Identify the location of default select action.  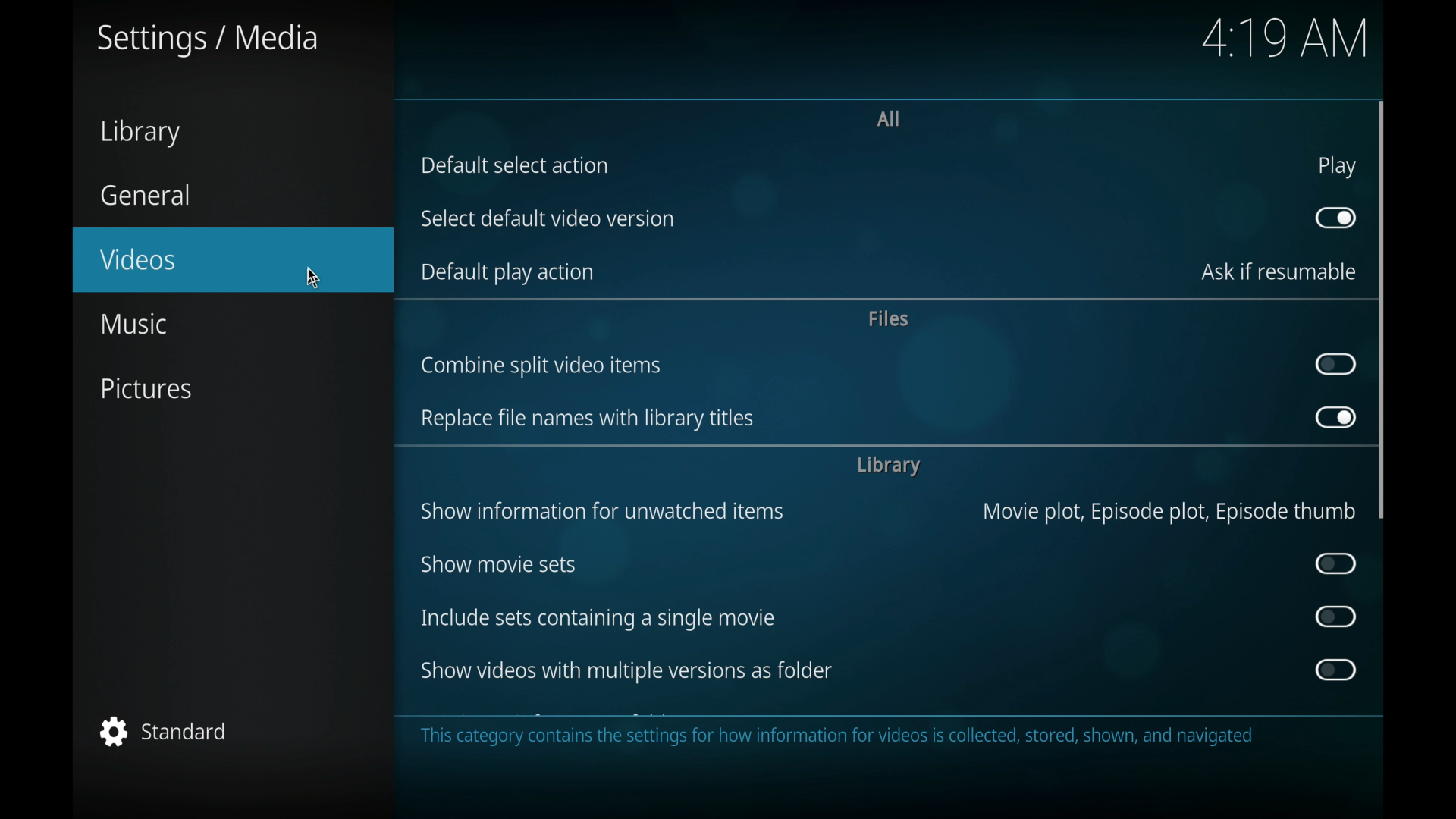
(514, 165).